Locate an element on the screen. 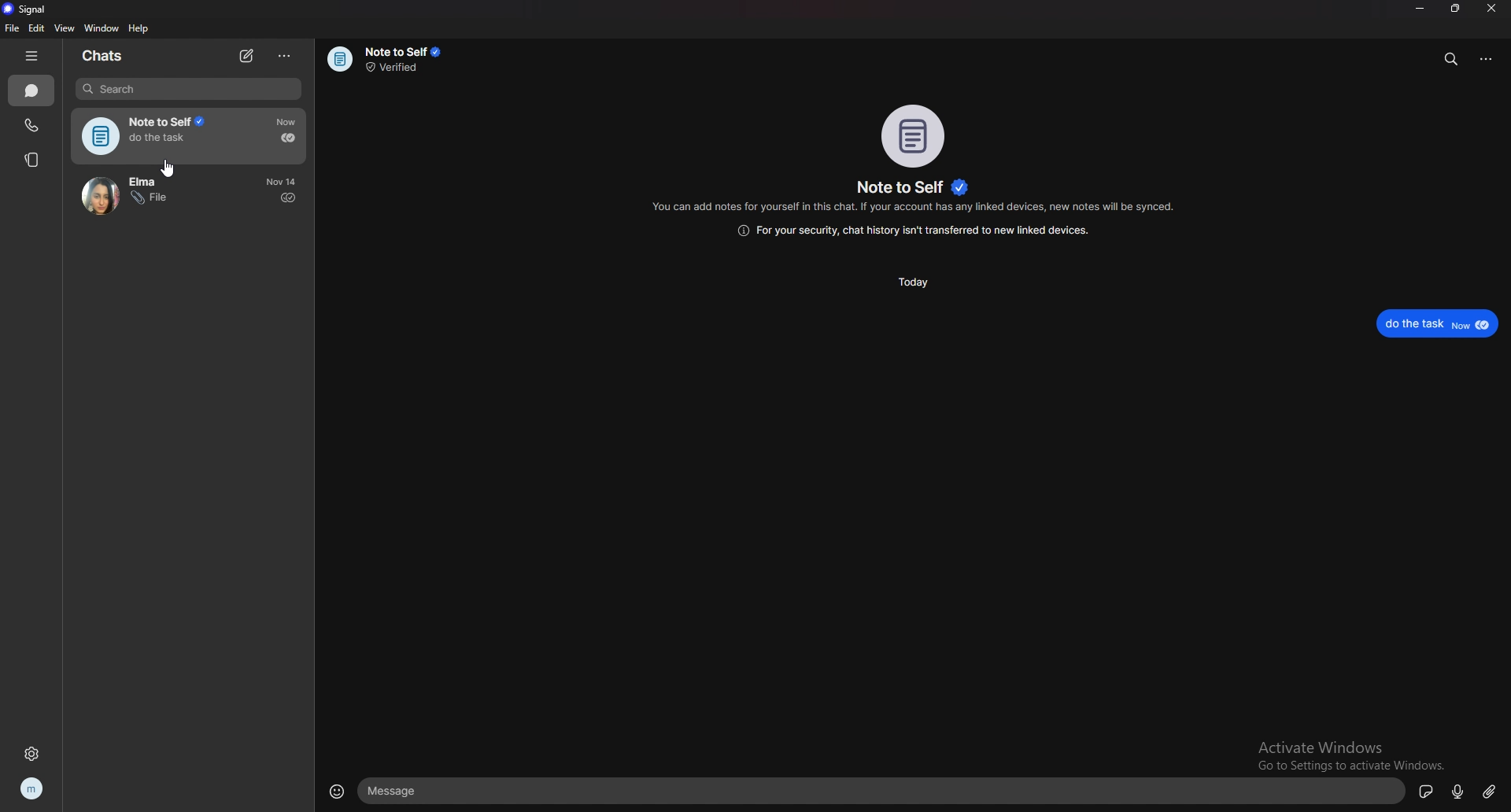  close is located at coordinates (1493, 8).